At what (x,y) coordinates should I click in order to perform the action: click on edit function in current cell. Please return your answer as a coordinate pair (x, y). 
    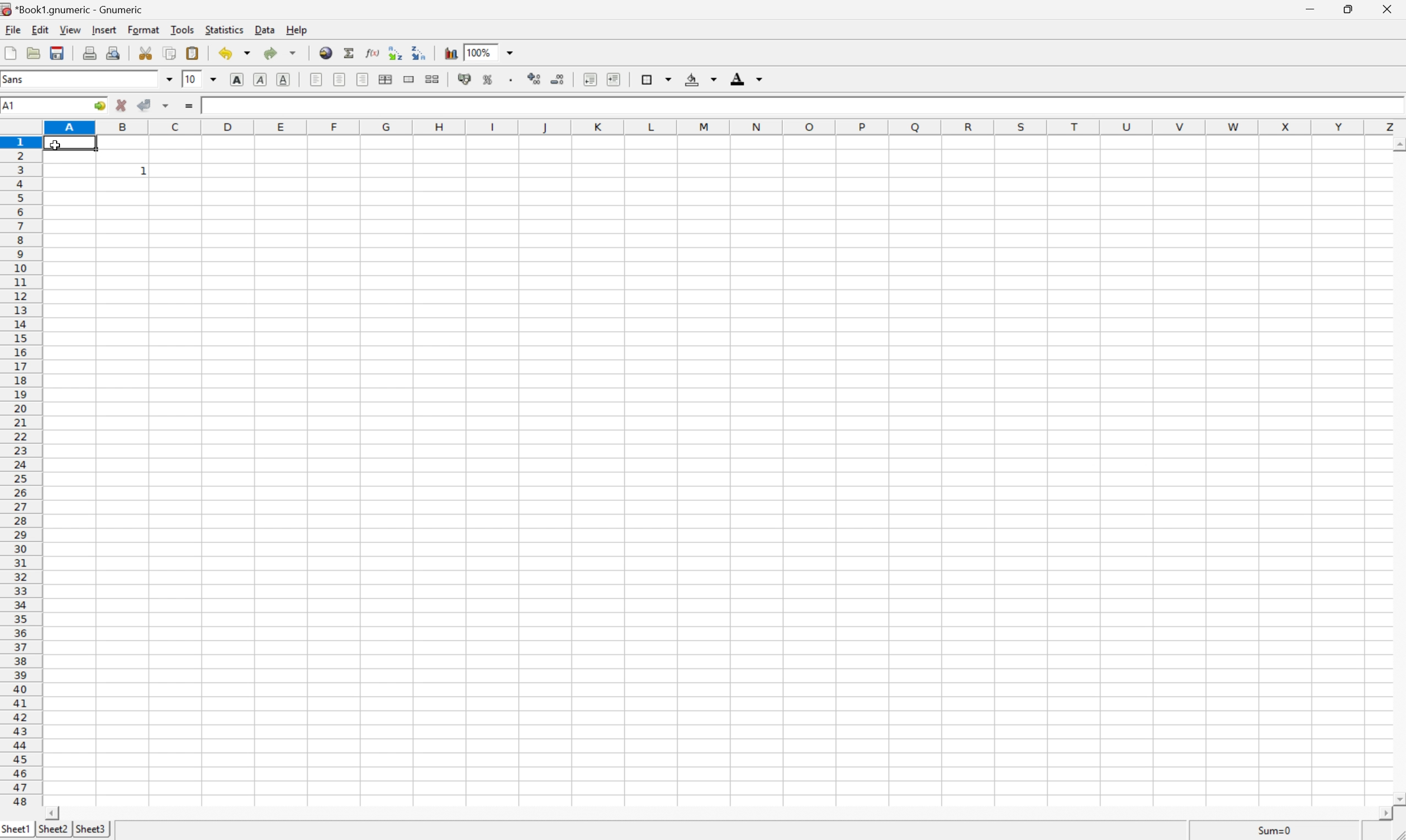
    Looking at the image, I should click on (372, 53).